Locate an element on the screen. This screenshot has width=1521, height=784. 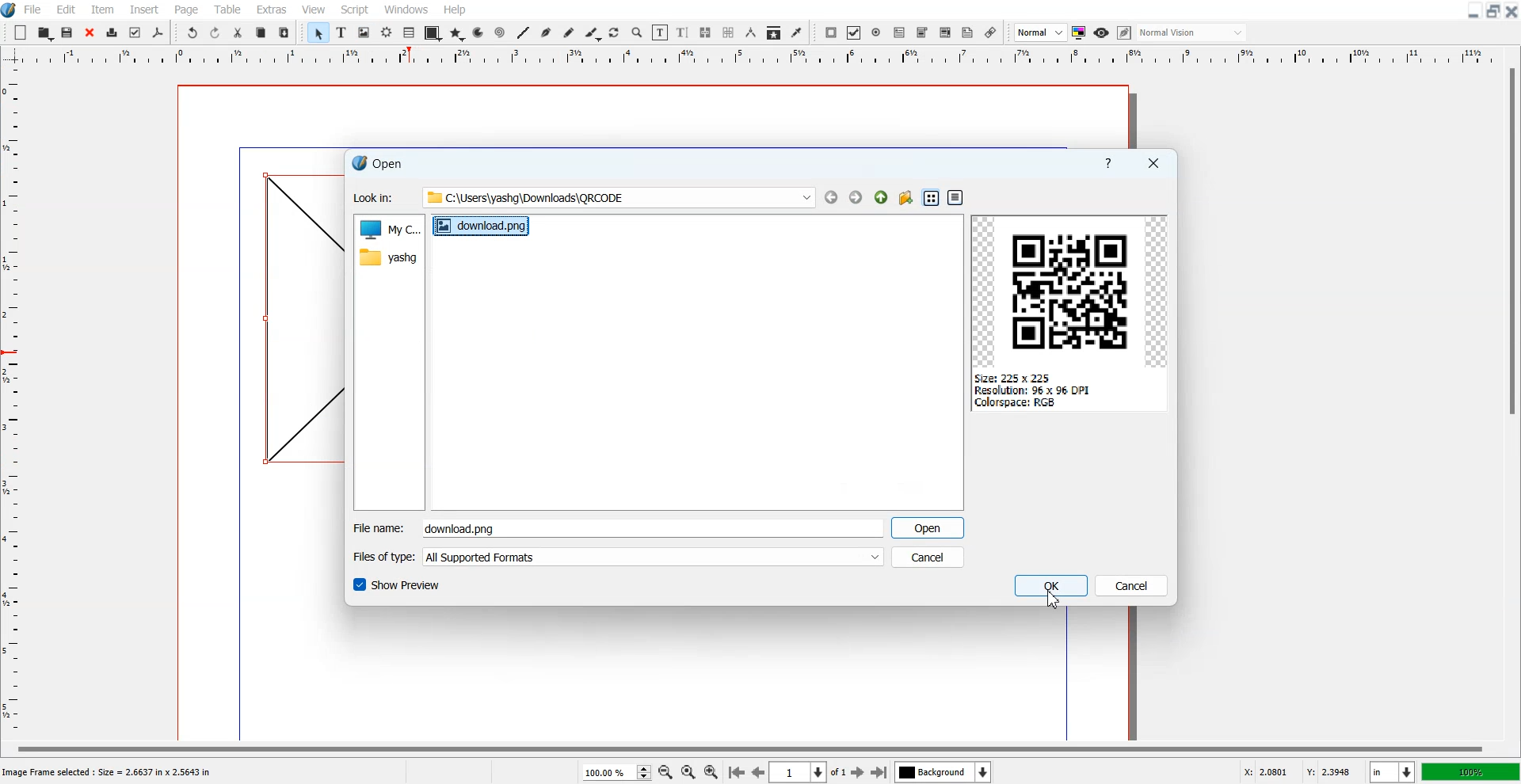
Vertical Scale is located at coordinates (760, 57).